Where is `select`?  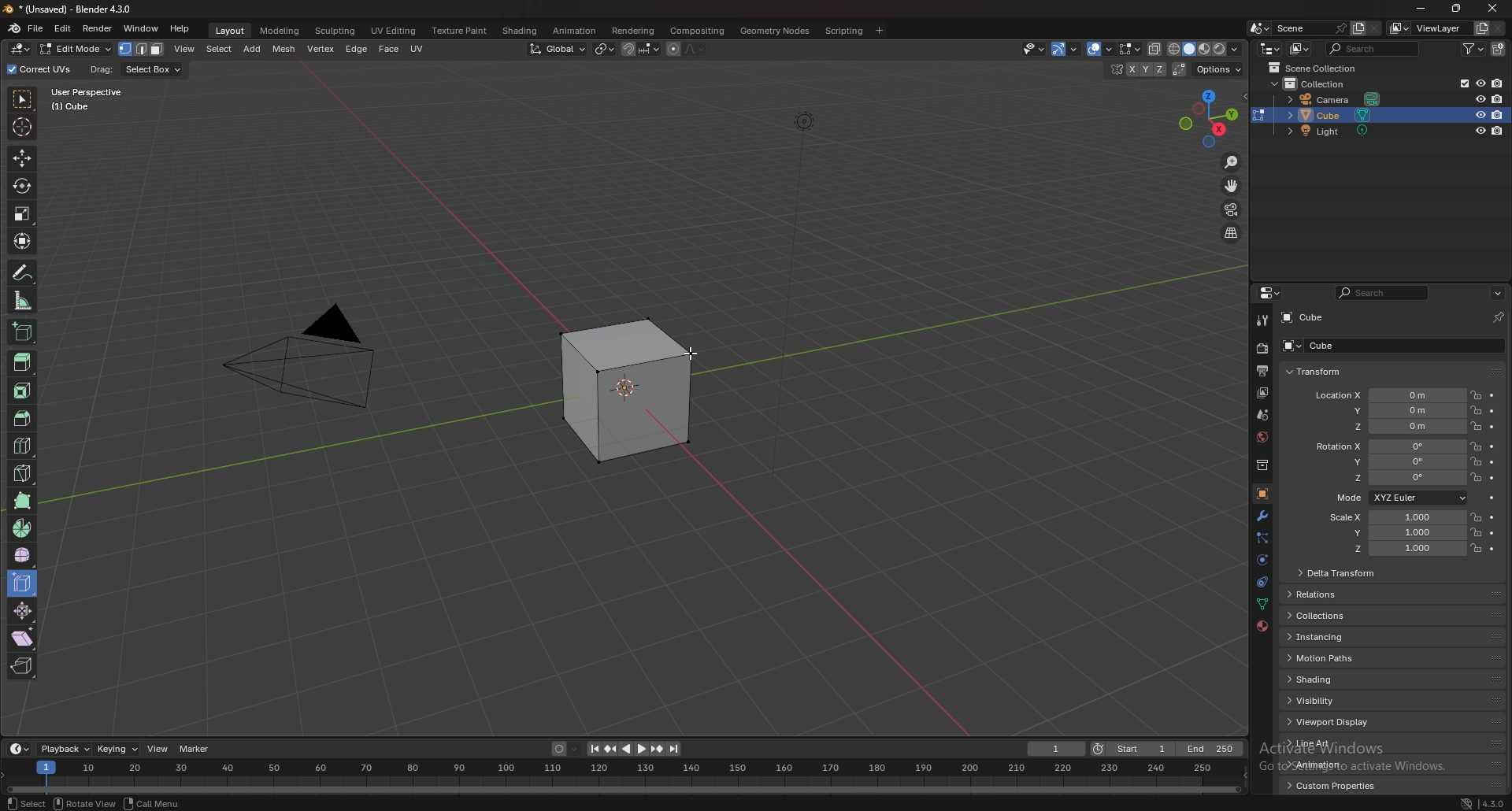
select is located at coordinates (220, 50).